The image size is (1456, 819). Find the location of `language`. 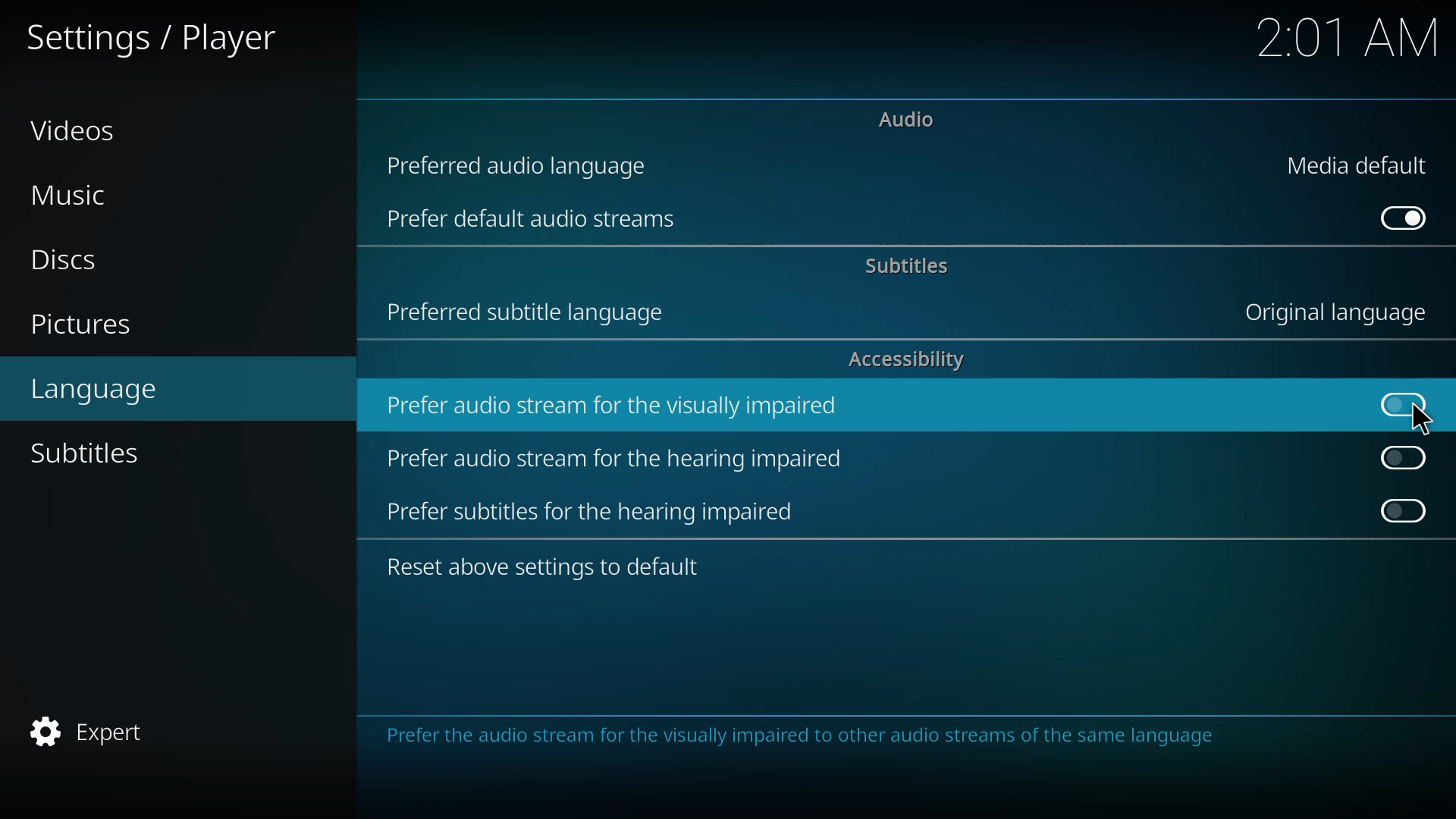

language is located at coordinates (102, 391).